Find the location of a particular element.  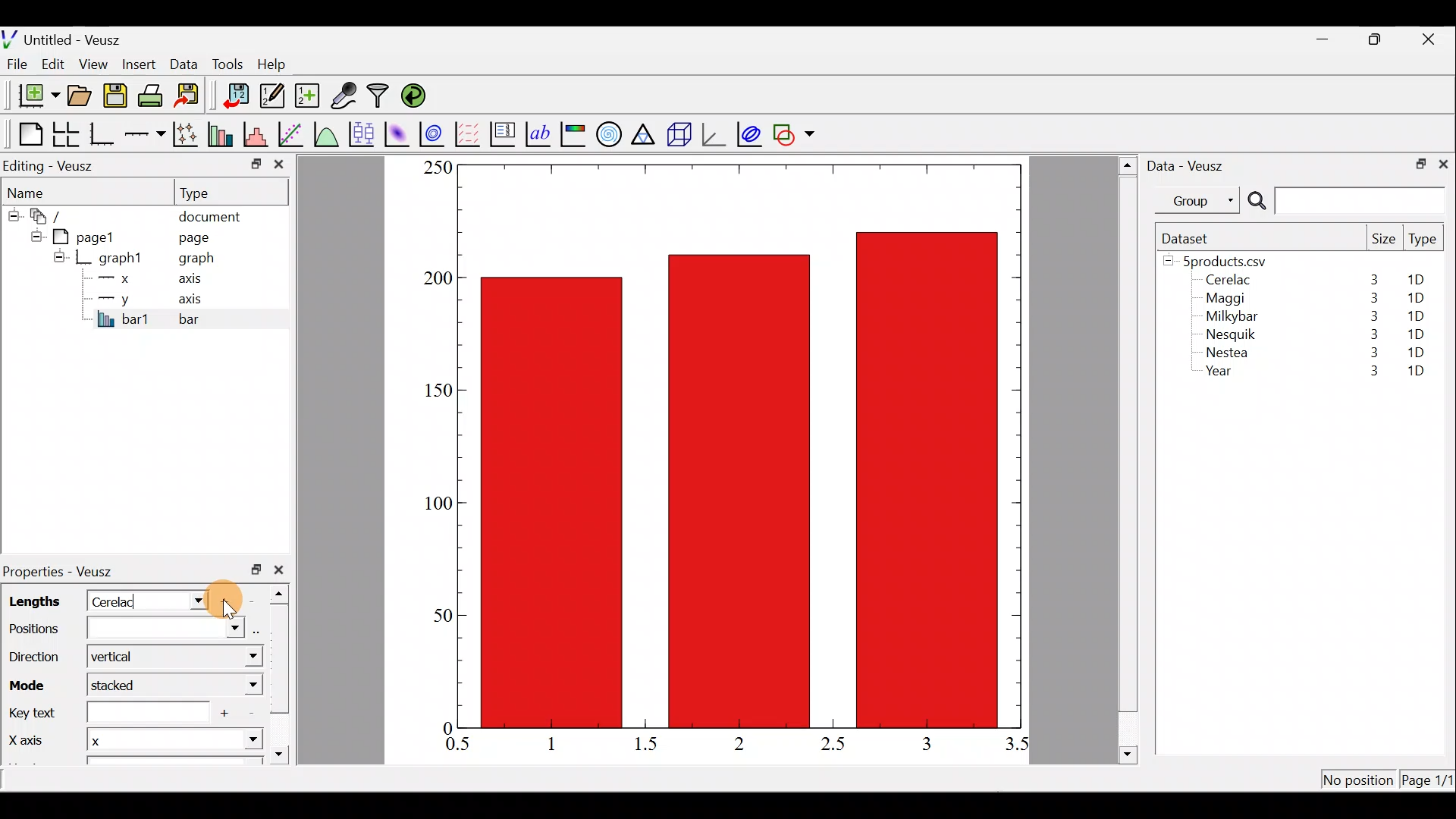

3 is located at coordinates (1366, 372).